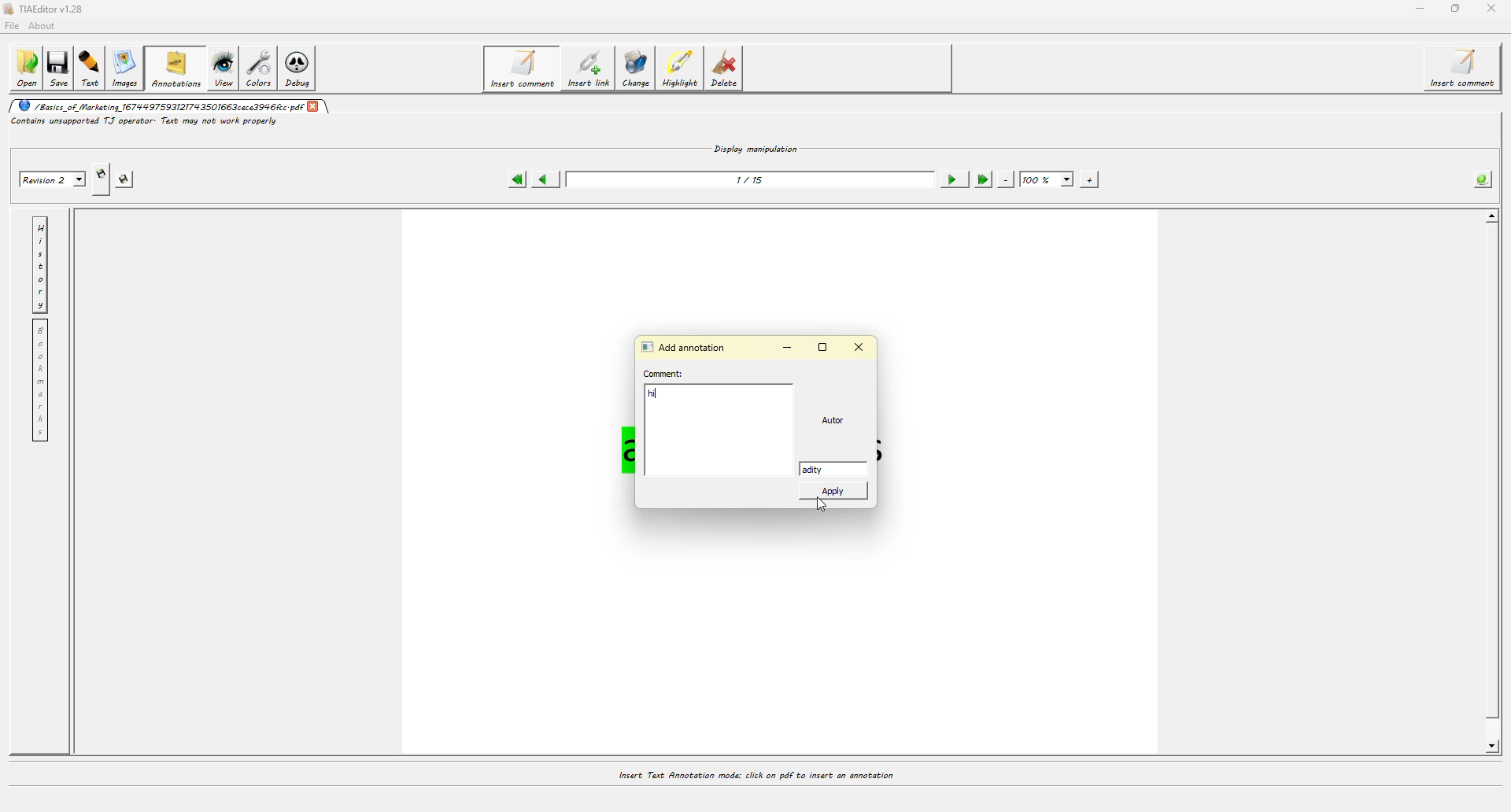 This screenshot has width=1511, height=812. Describe the element at coordinates (262, 68) in the screenshot. I see `colors` at that location.